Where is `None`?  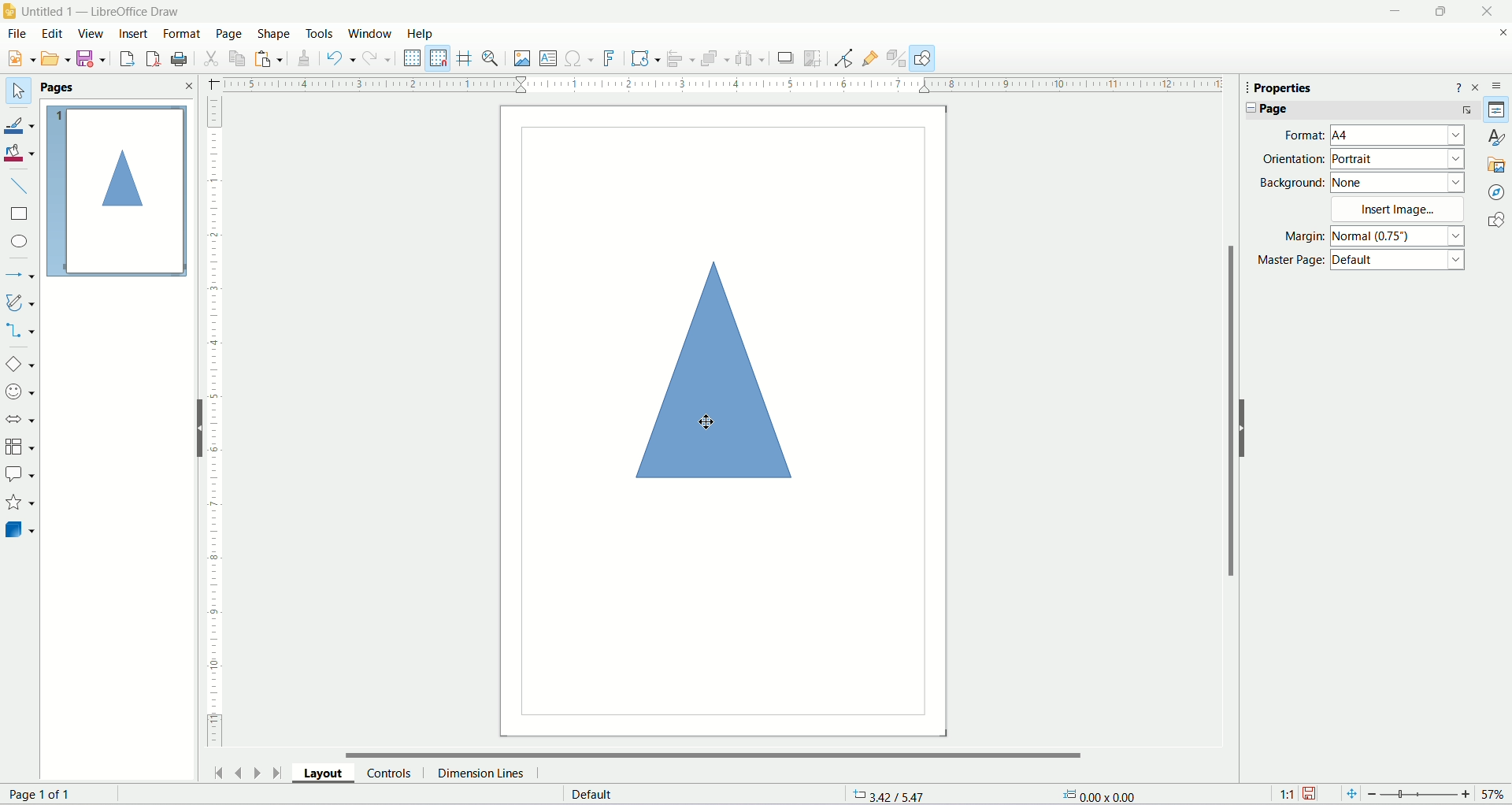 None is located at coordinates (1397, 183).